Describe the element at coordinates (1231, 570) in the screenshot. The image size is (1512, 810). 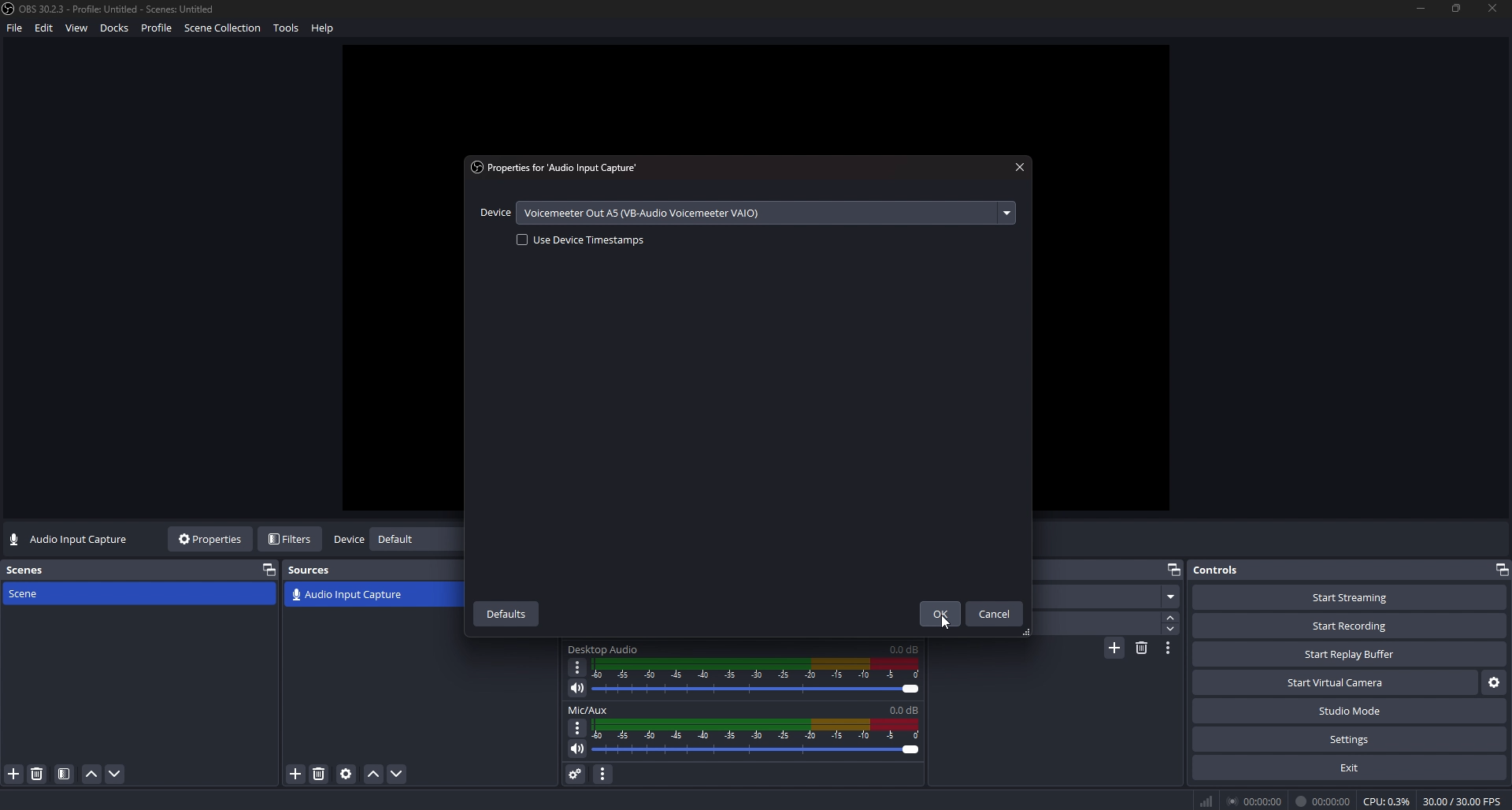
I see `controls` at that location.